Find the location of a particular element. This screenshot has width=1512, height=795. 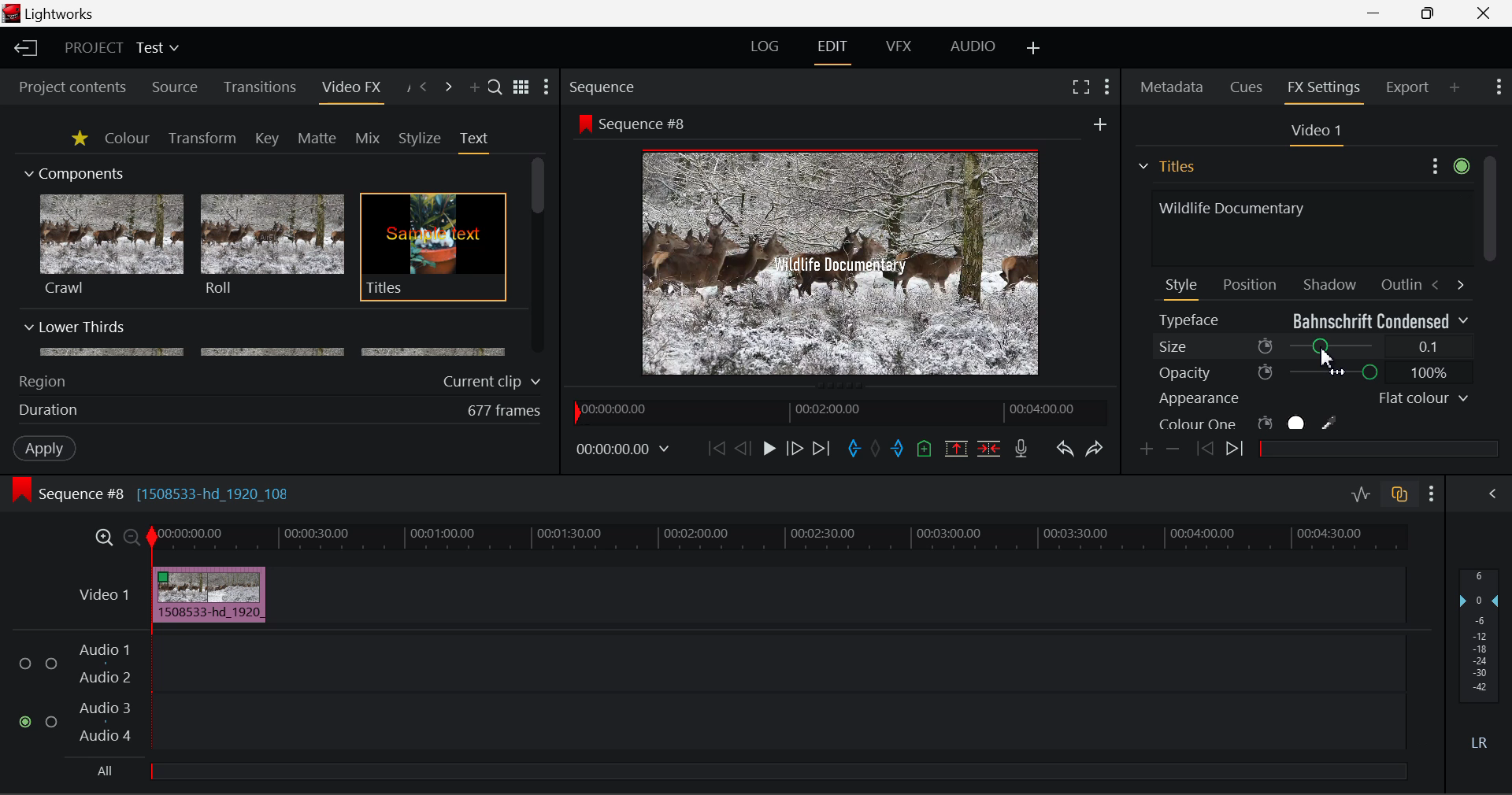

Stylize is located at coordinates (421, 139).